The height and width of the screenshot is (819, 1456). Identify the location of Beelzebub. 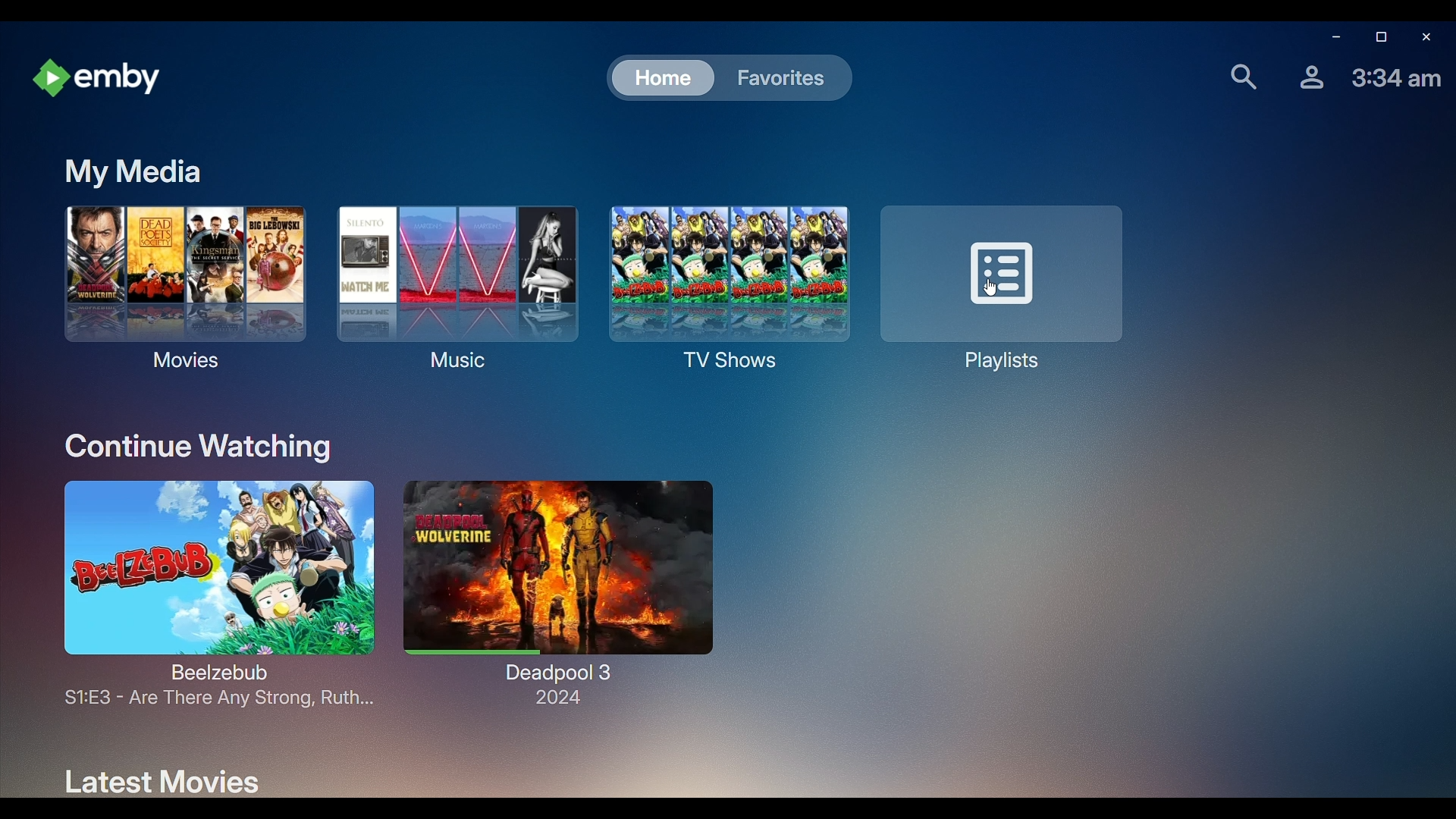
(203, 595).